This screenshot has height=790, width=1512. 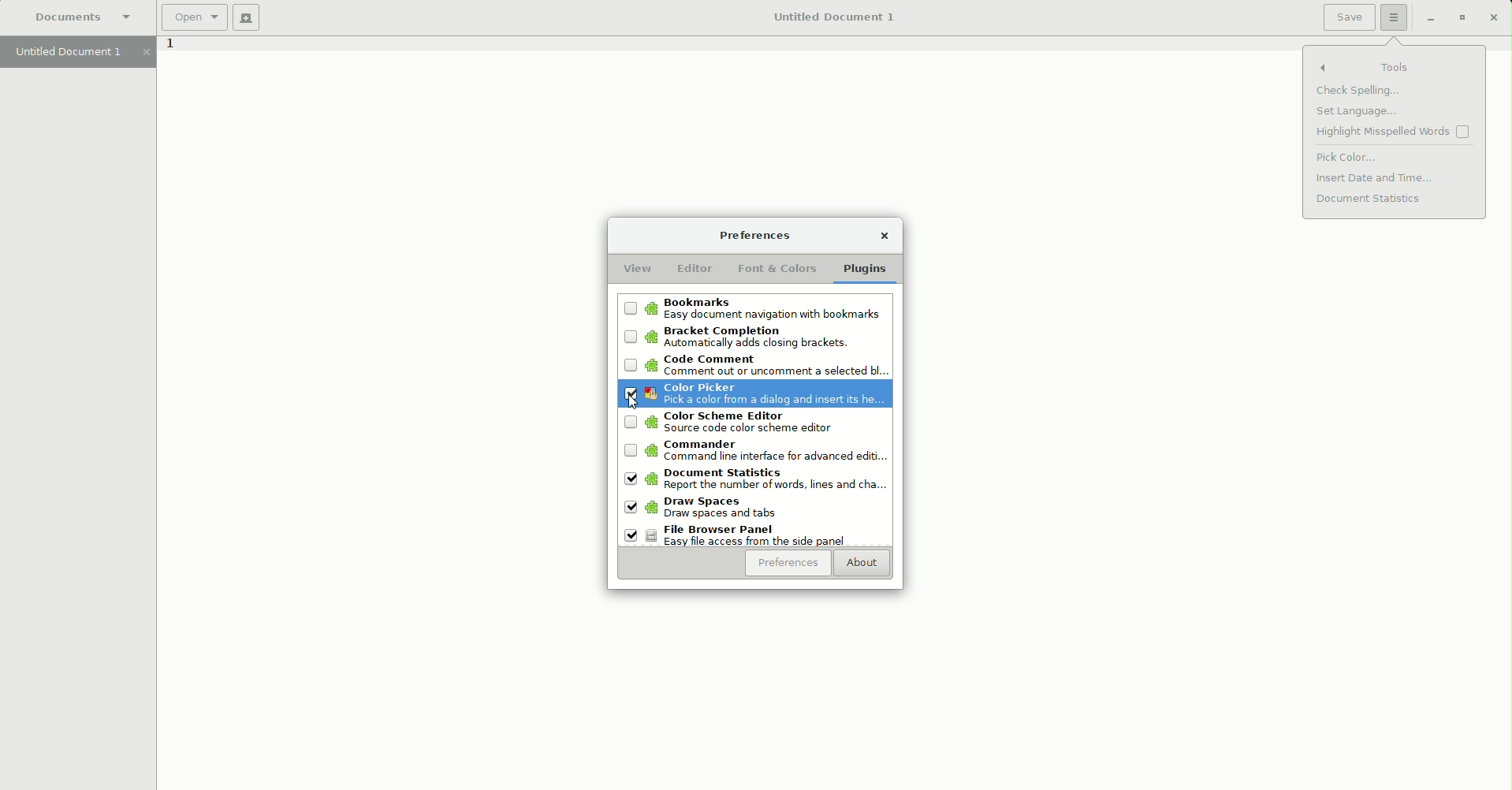 What do you see at coordinates (1426, 20) in the screenshot?
I see `Restore` at bounding box center [1426, 20].